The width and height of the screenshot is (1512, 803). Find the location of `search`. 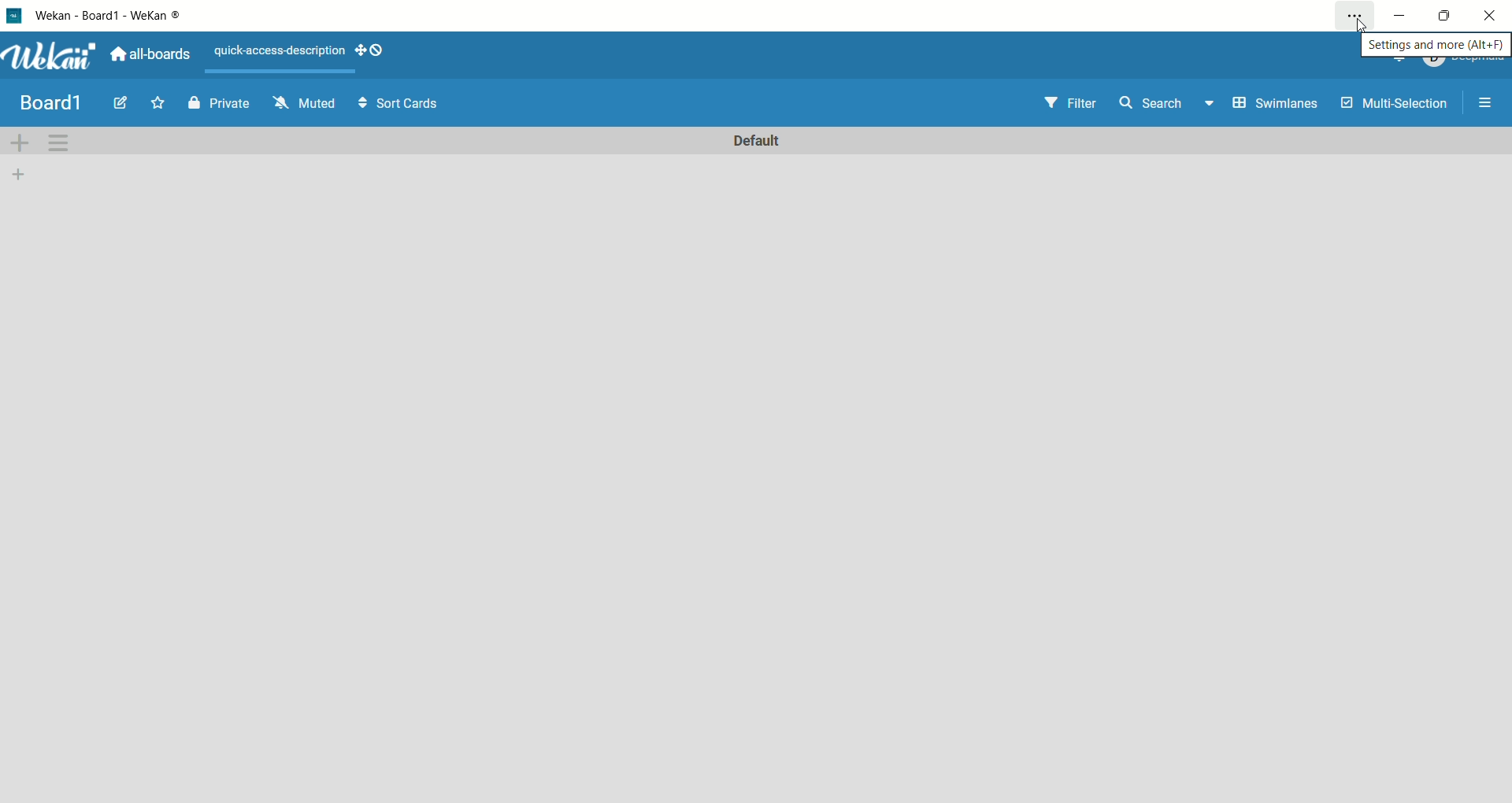

search is located at coordinates (1168, 107).